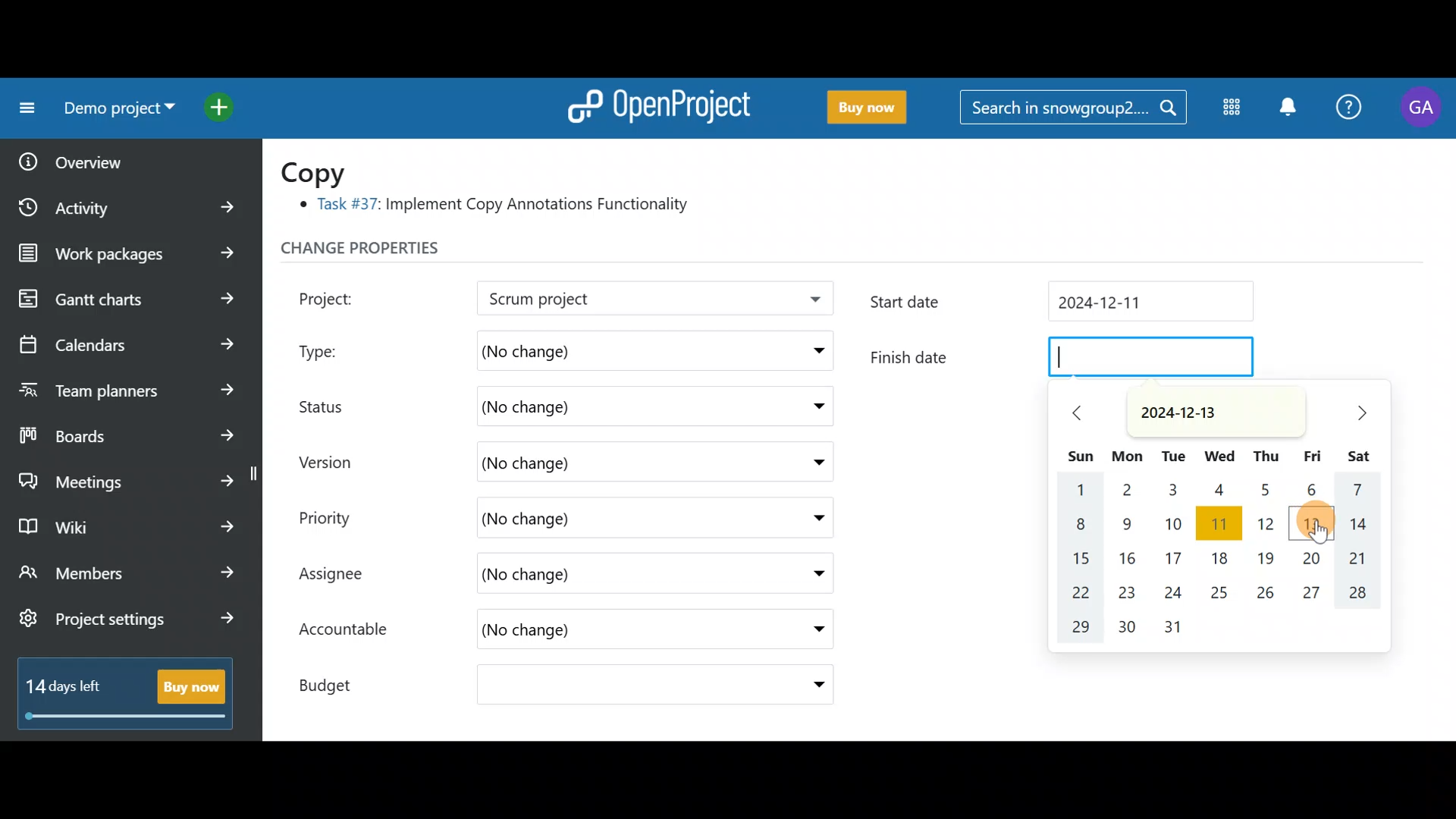 This screenshot has width=1456, height=819. What do you see at coordinates (1219, 454) in the screenshot?
I see `Wed` at bounding box center [1219, 454].